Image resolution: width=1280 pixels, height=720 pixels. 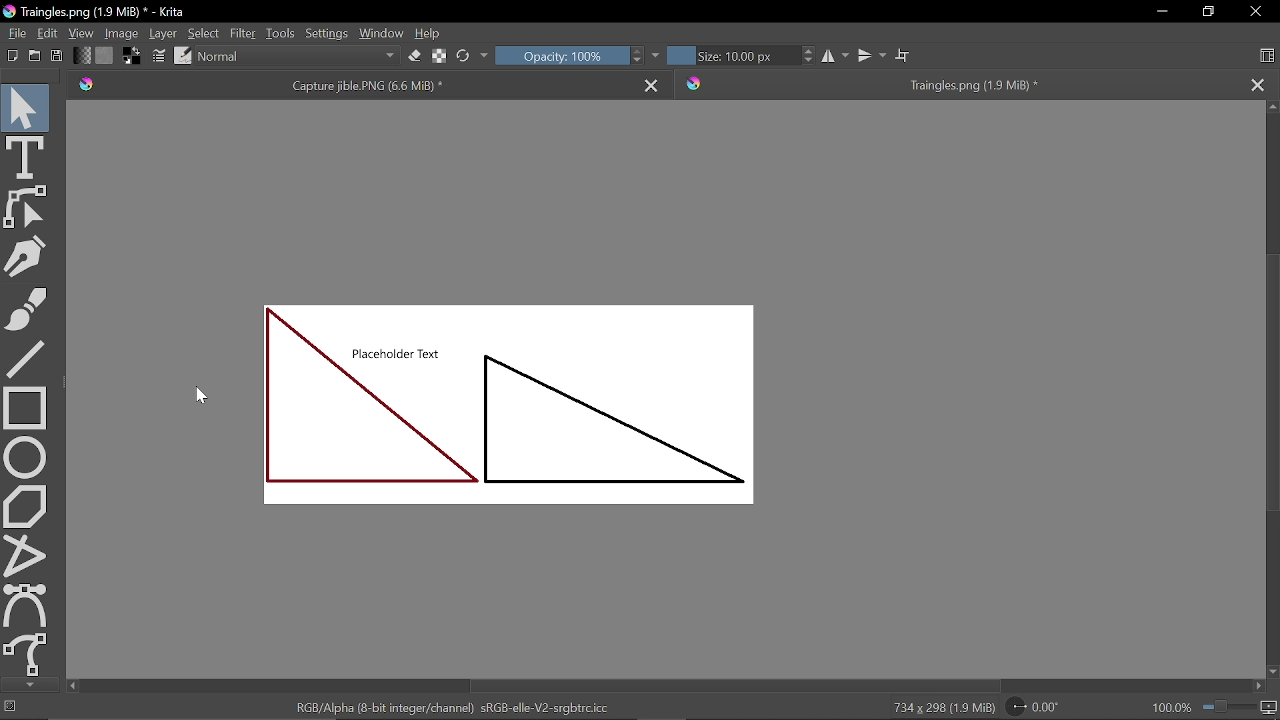 I want to click on Horizontal scrollbar, so click(x=734, y=687).